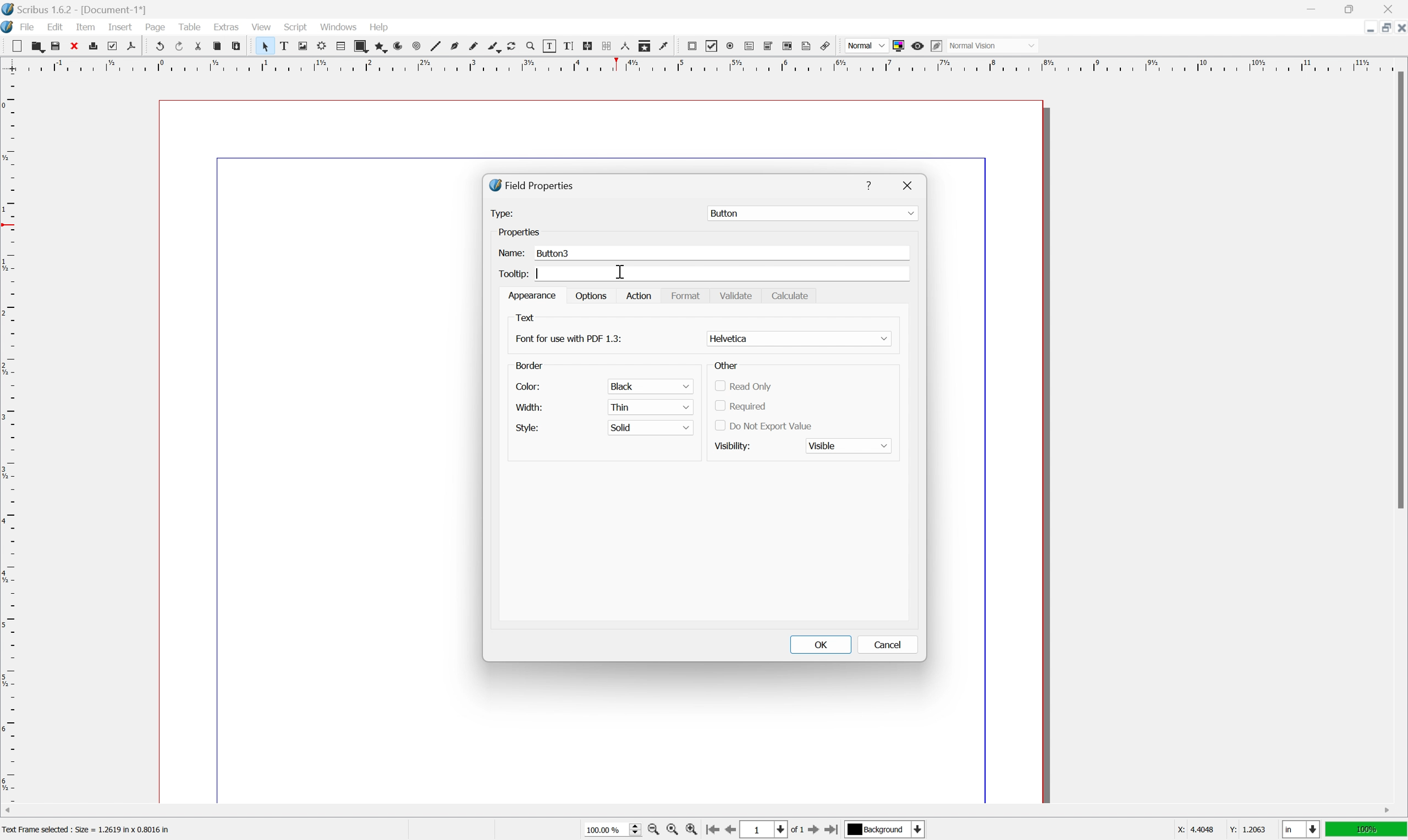 Image resolution: width=1408 pixels, height=840 pixels. Describe the element at coordinates (540, 273) in the screenshot. I see `Typing cursor` at that location.